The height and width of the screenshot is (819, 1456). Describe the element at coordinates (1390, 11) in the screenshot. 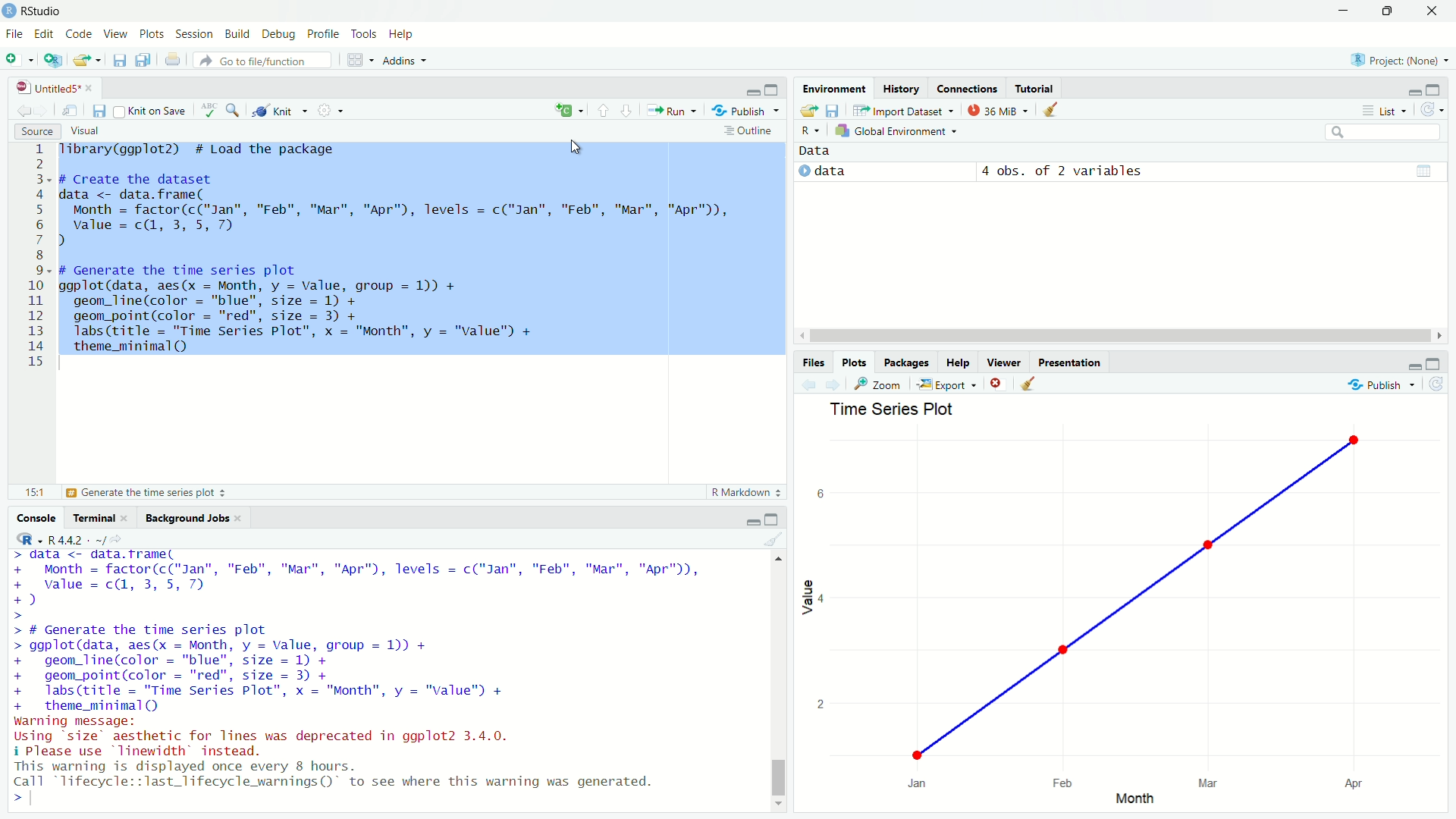

I see `maximize` at that location.